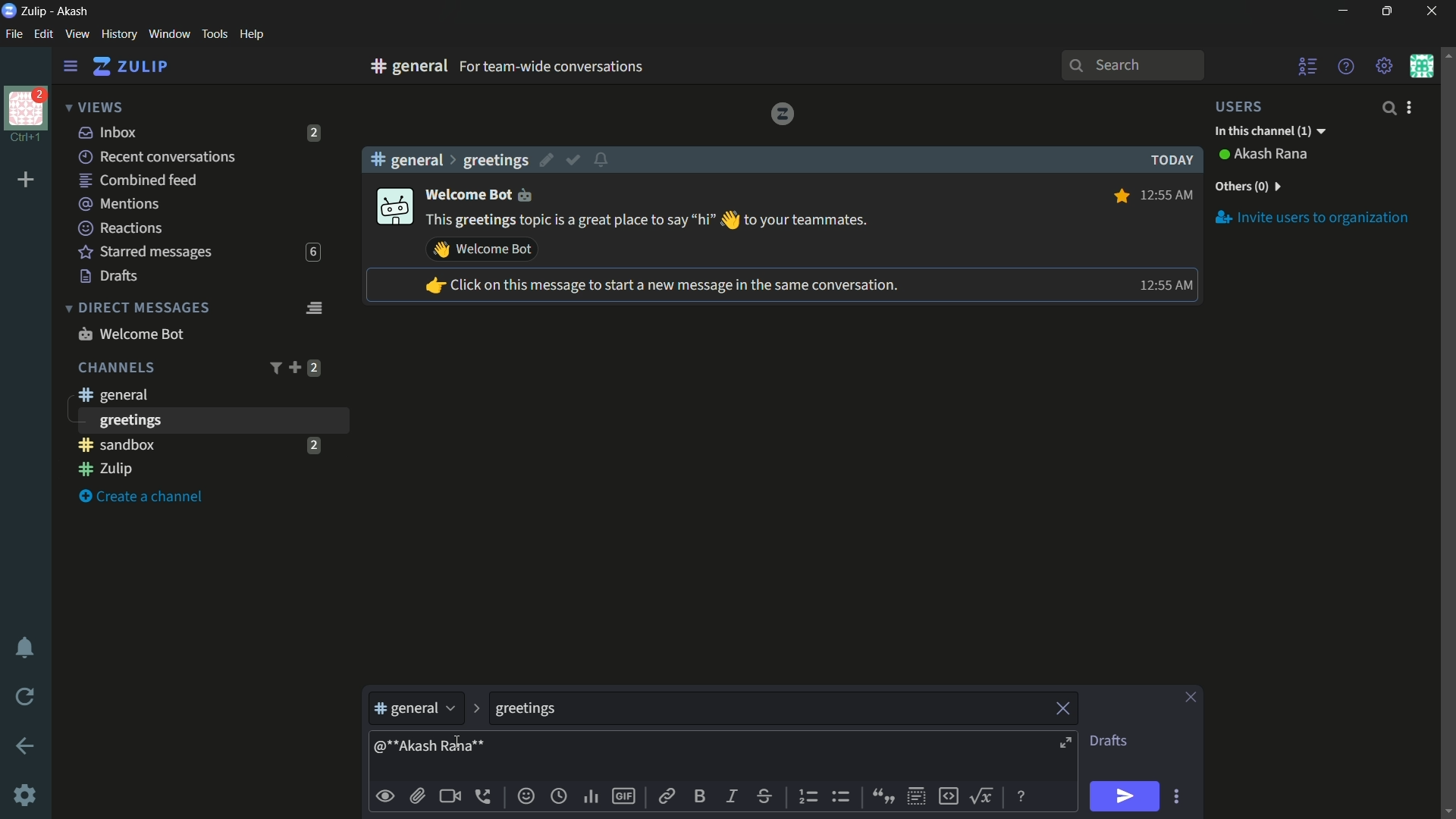 Image resolution: width=1456 pixels, height=819 pixels. Describe the element at coordinates (1421, 66) in the screenshot. I see `personal menu` at that location.